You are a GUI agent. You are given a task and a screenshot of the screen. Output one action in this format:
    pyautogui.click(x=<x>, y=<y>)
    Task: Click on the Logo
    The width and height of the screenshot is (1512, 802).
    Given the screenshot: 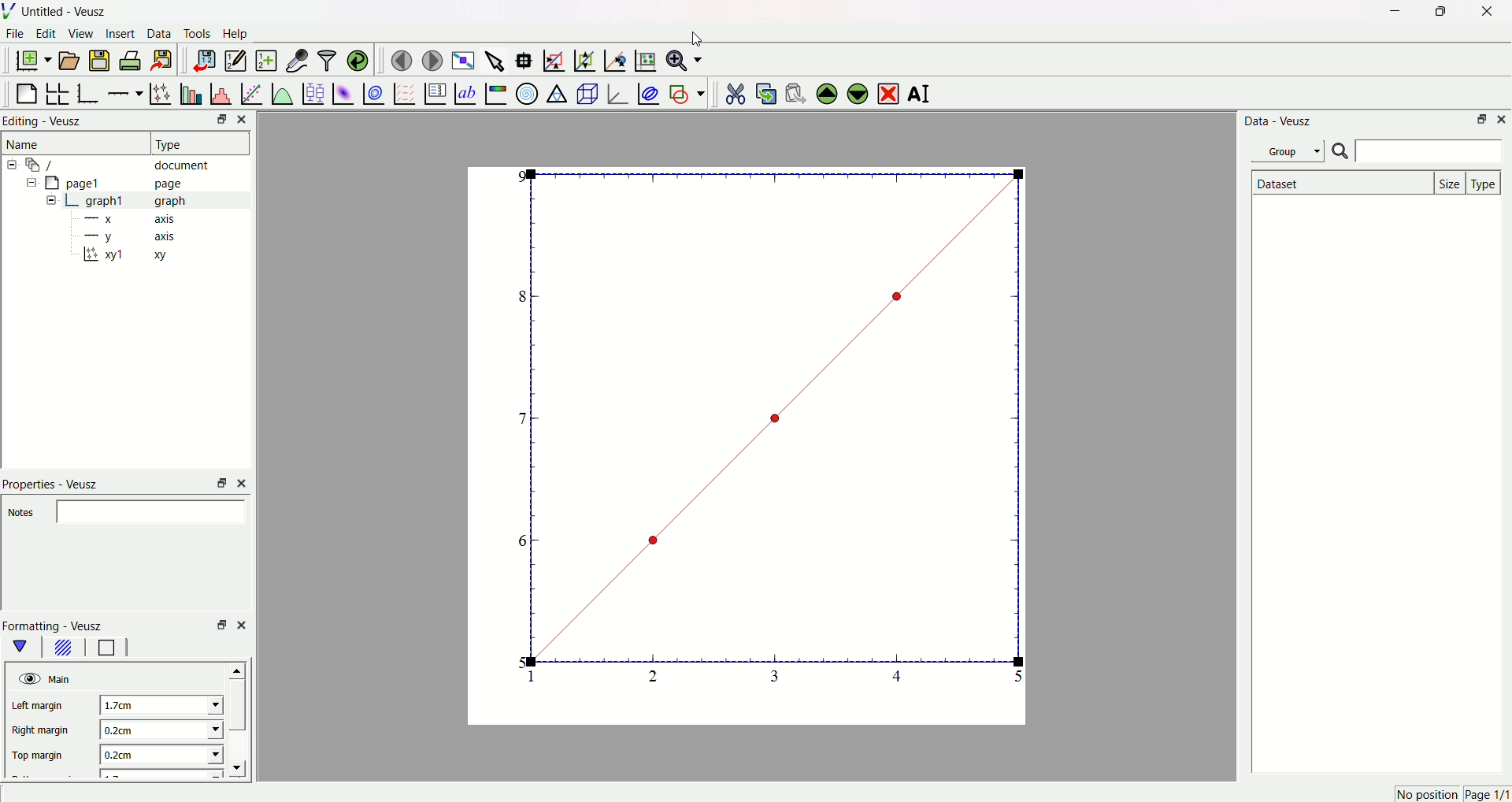 What is the action you would take?
    pyautogui.click(x=12, y=12)
    